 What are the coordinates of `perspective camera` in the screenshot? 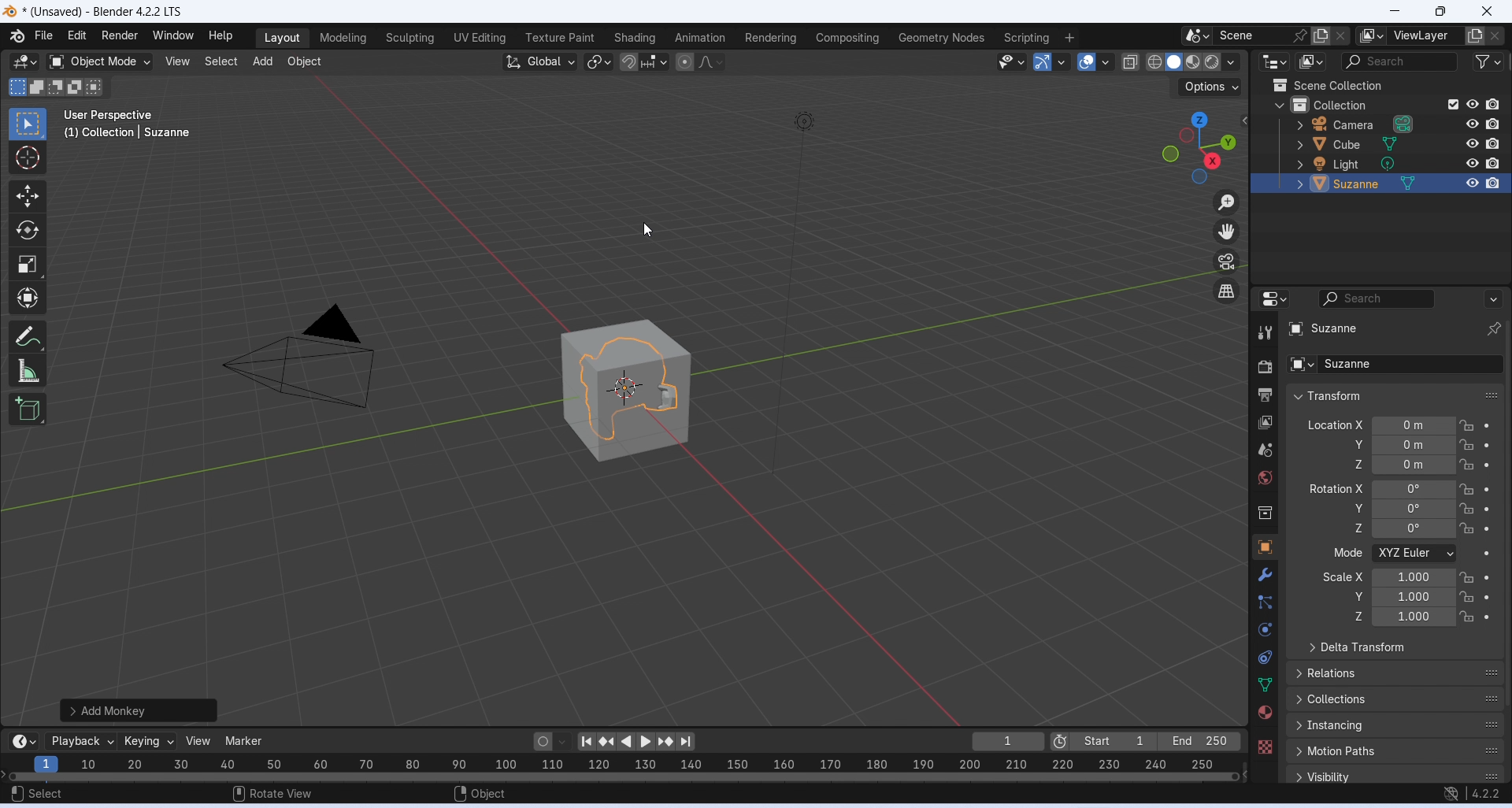 It's located at (299, 361).